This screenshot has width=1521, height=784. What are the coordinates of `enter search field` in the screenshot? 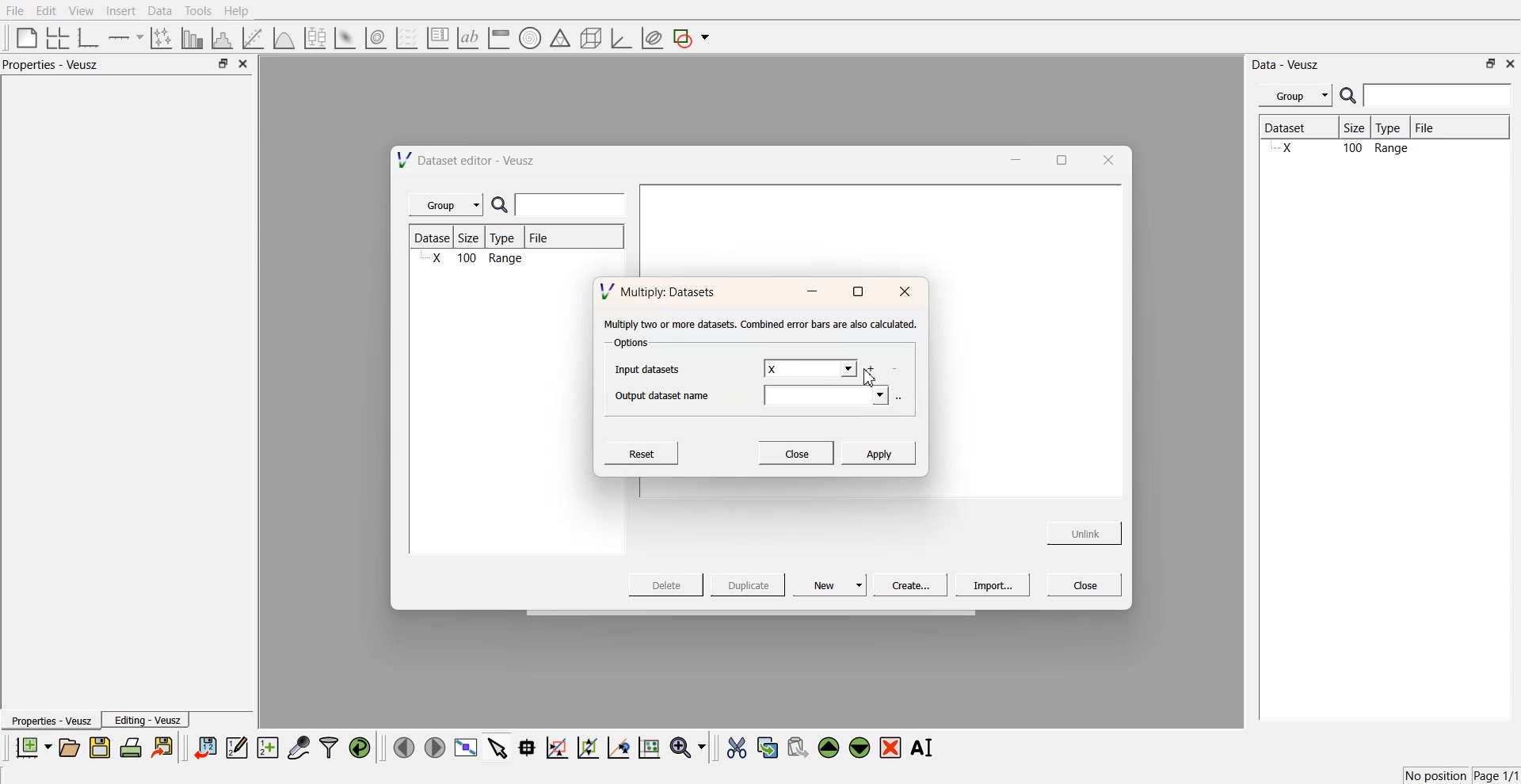 It's located at (1439, 96).